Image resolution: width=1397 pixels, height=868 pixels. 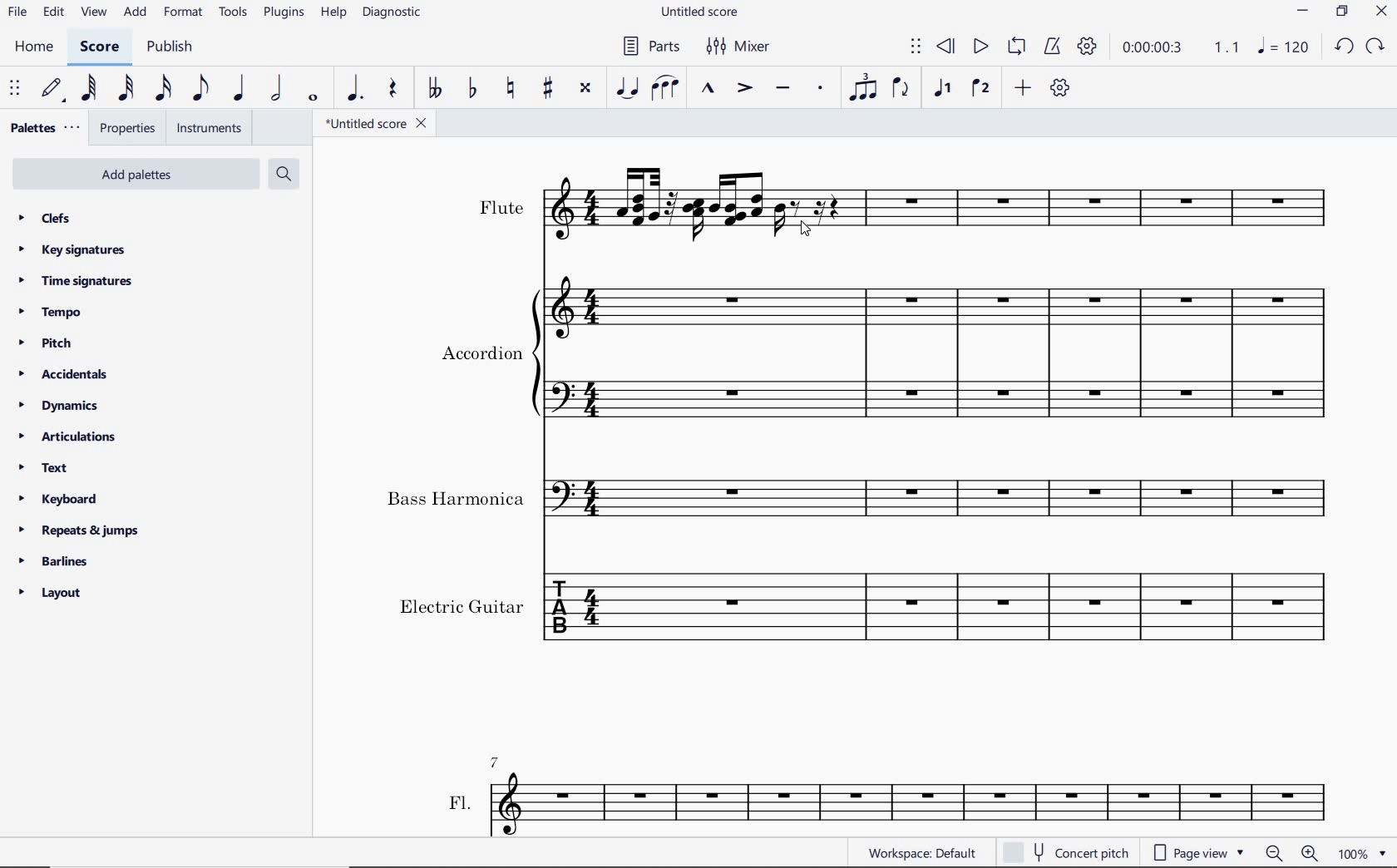 I want to click on augmentation dot, so click(x=352, y=89).